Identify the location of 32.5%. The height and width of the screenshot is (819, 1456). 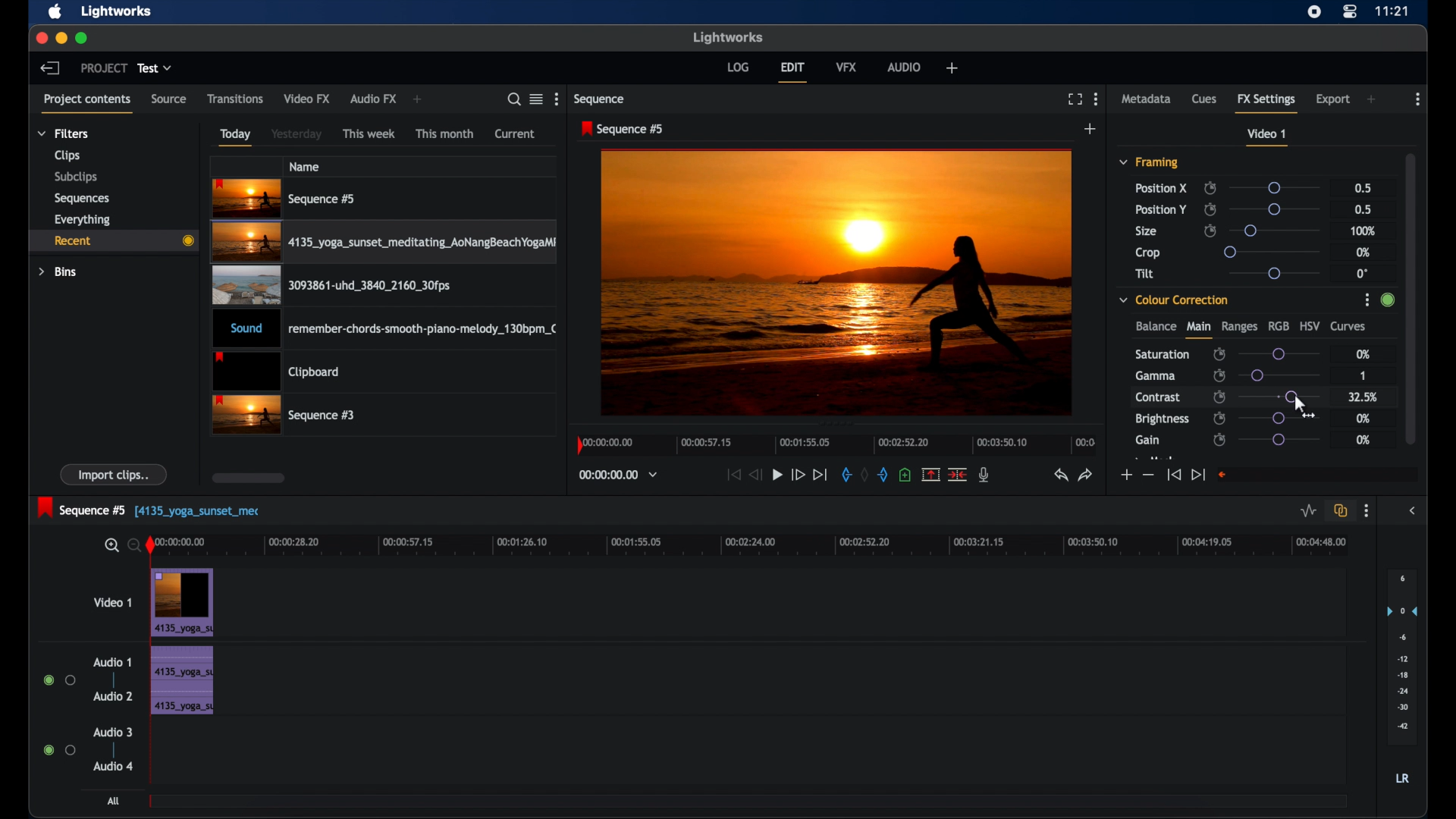
(1364, 397).